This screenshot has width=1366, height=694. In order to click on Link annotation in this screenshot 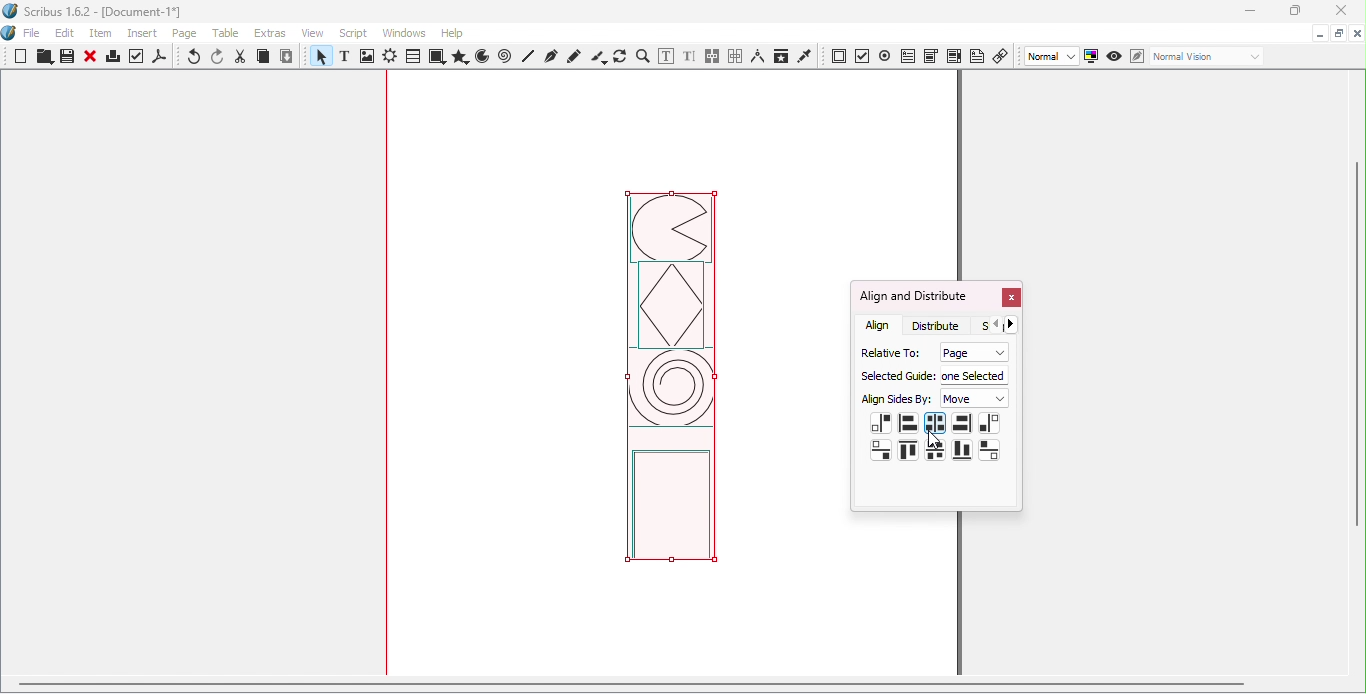, I will do `click(1002, 55)`.